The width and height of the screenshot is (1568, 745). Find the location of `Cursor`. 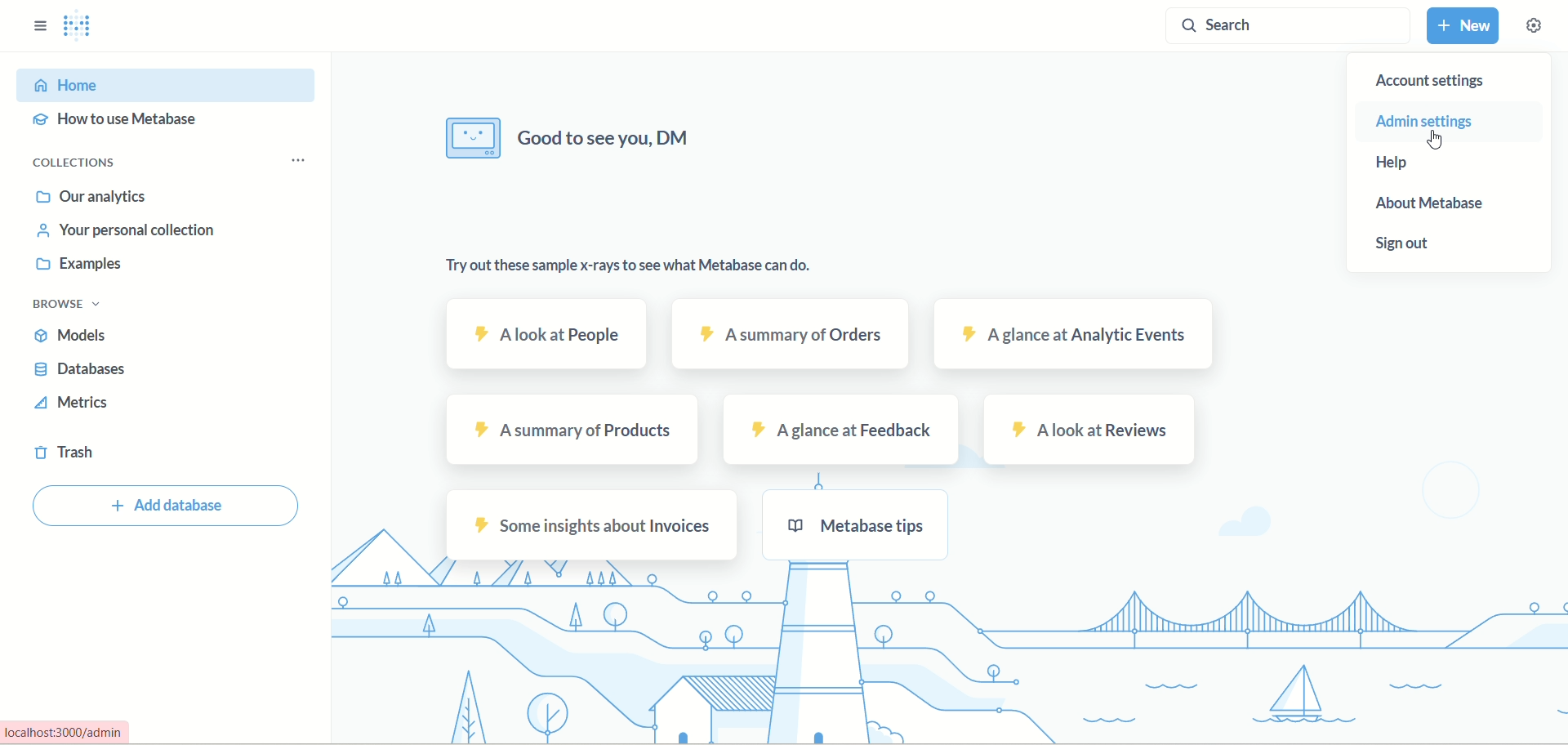

Cursor is located at coordinates (1435, 138).